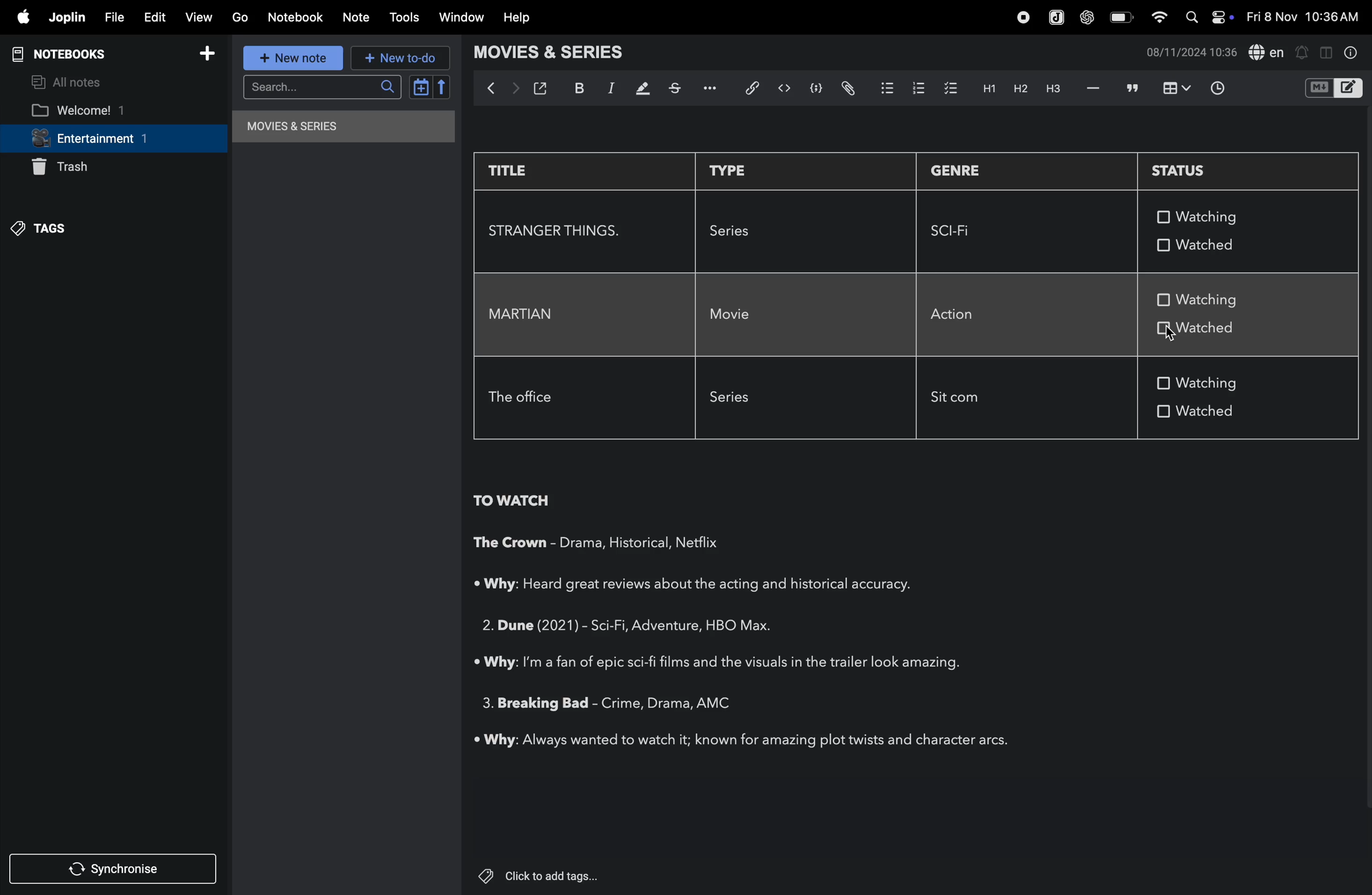 Image resolution: width=1372 pixels, height=895 pixels. I want to click on notebook, so click(296, 18).